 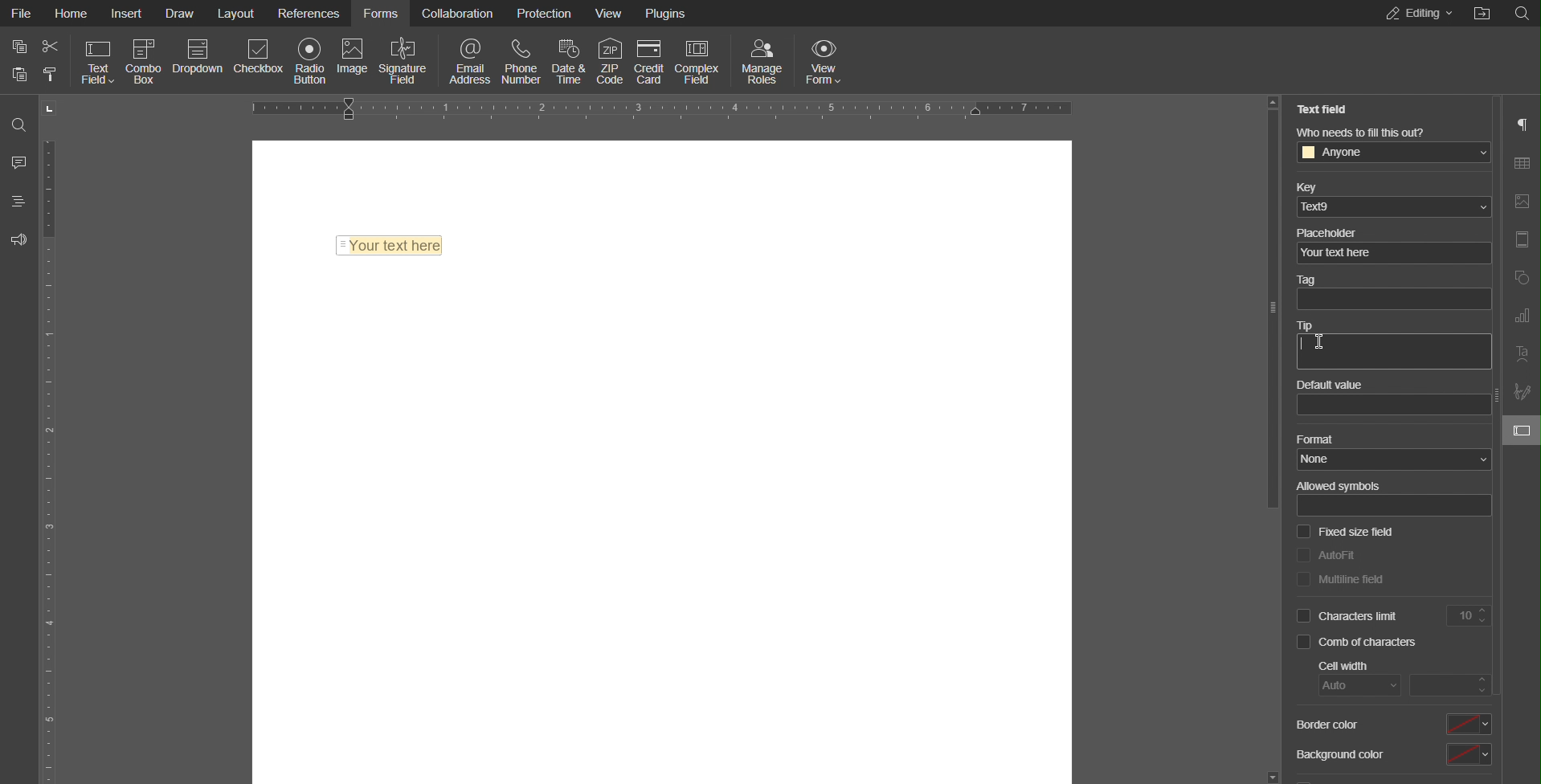 I want to click on Editing, so click(x=1418, y=14).